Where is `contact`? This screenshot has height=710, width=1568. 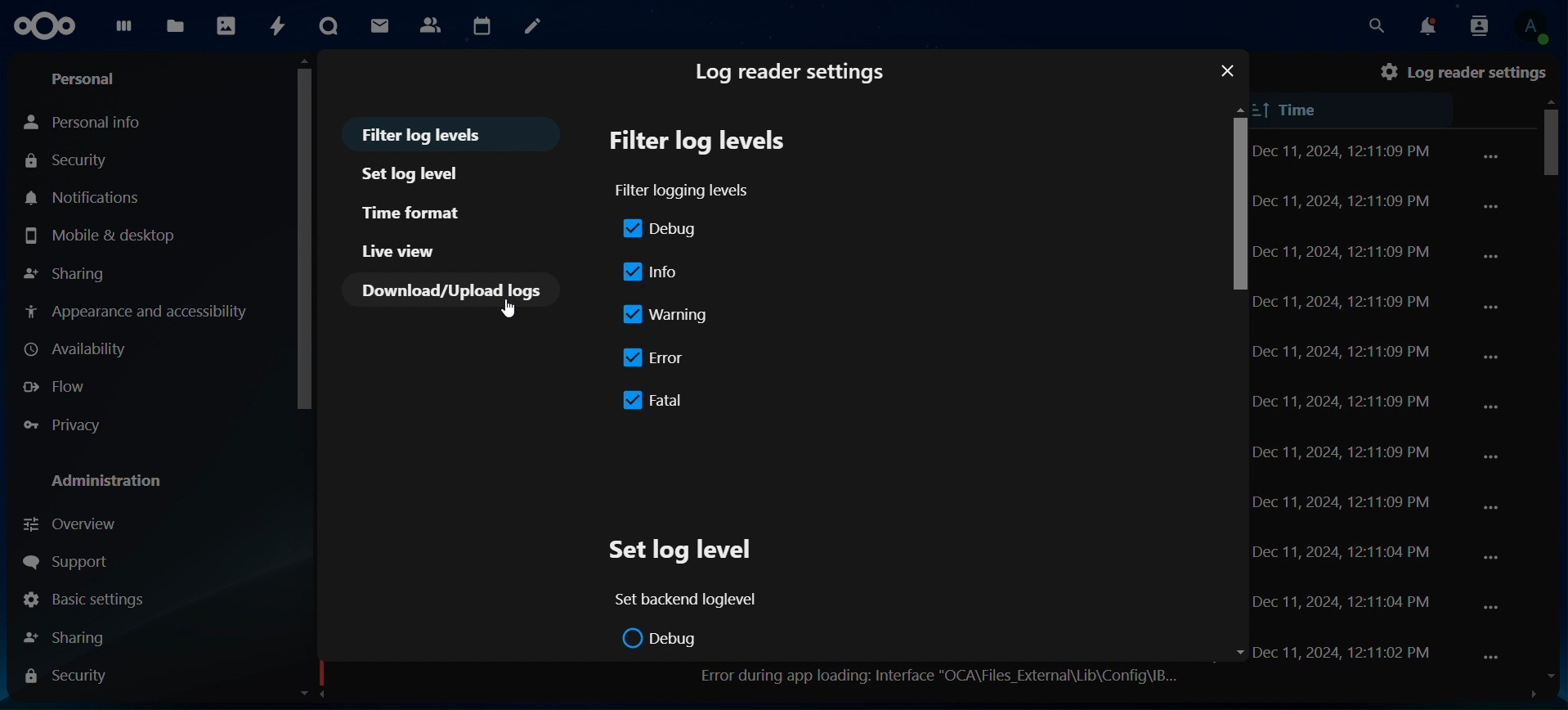 contact is located at coordinates (432, 25).